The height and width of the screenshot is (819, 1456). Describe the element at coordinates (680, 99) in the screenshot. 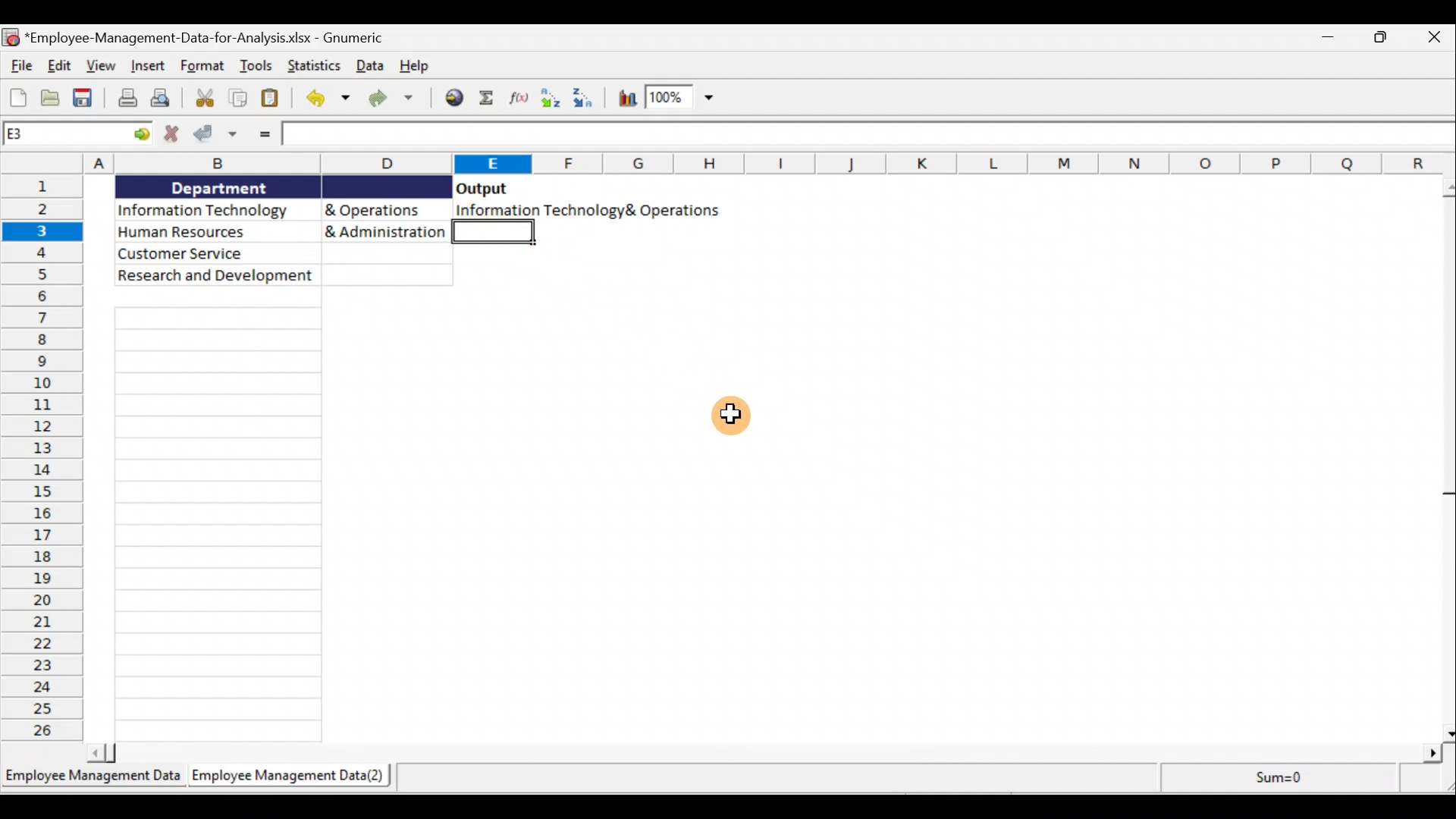

I see `Zoom` at that location.